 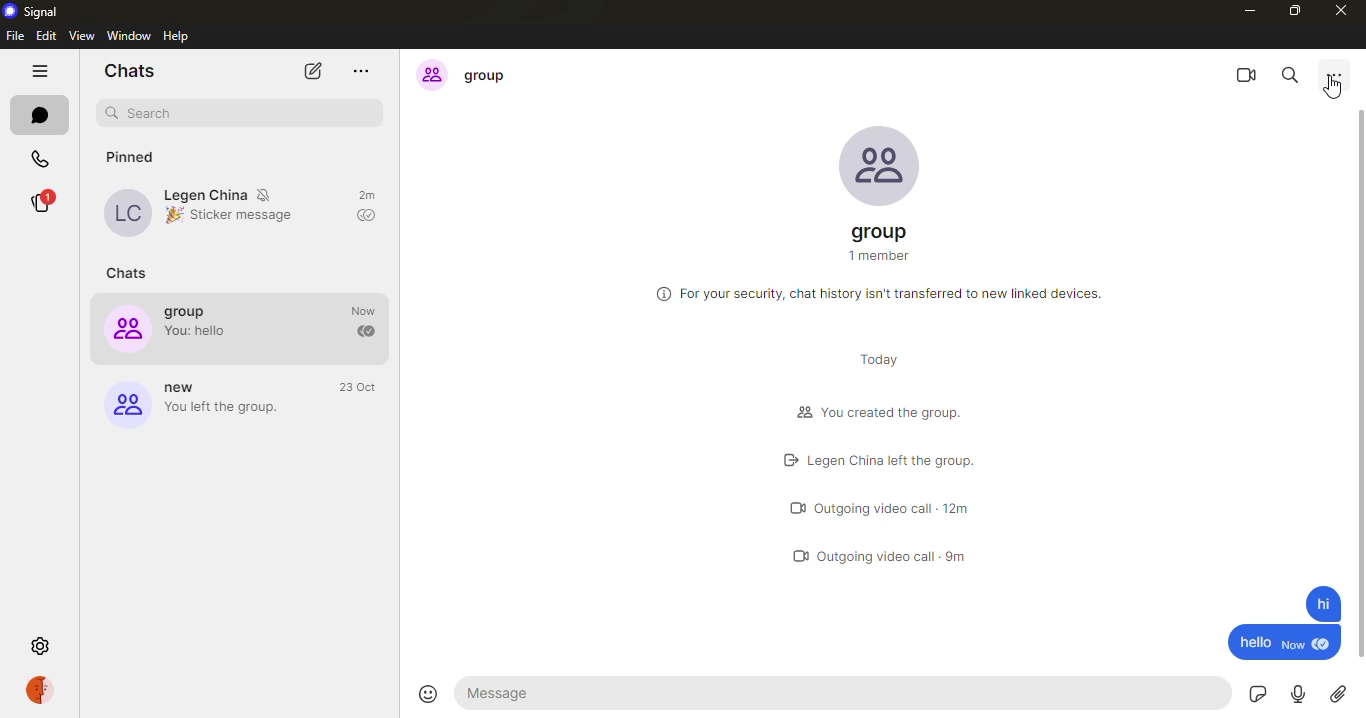 What do you see at coordinates (138, 155) in the screenshot?
I see `pinned` at bounding box center [138, 155].